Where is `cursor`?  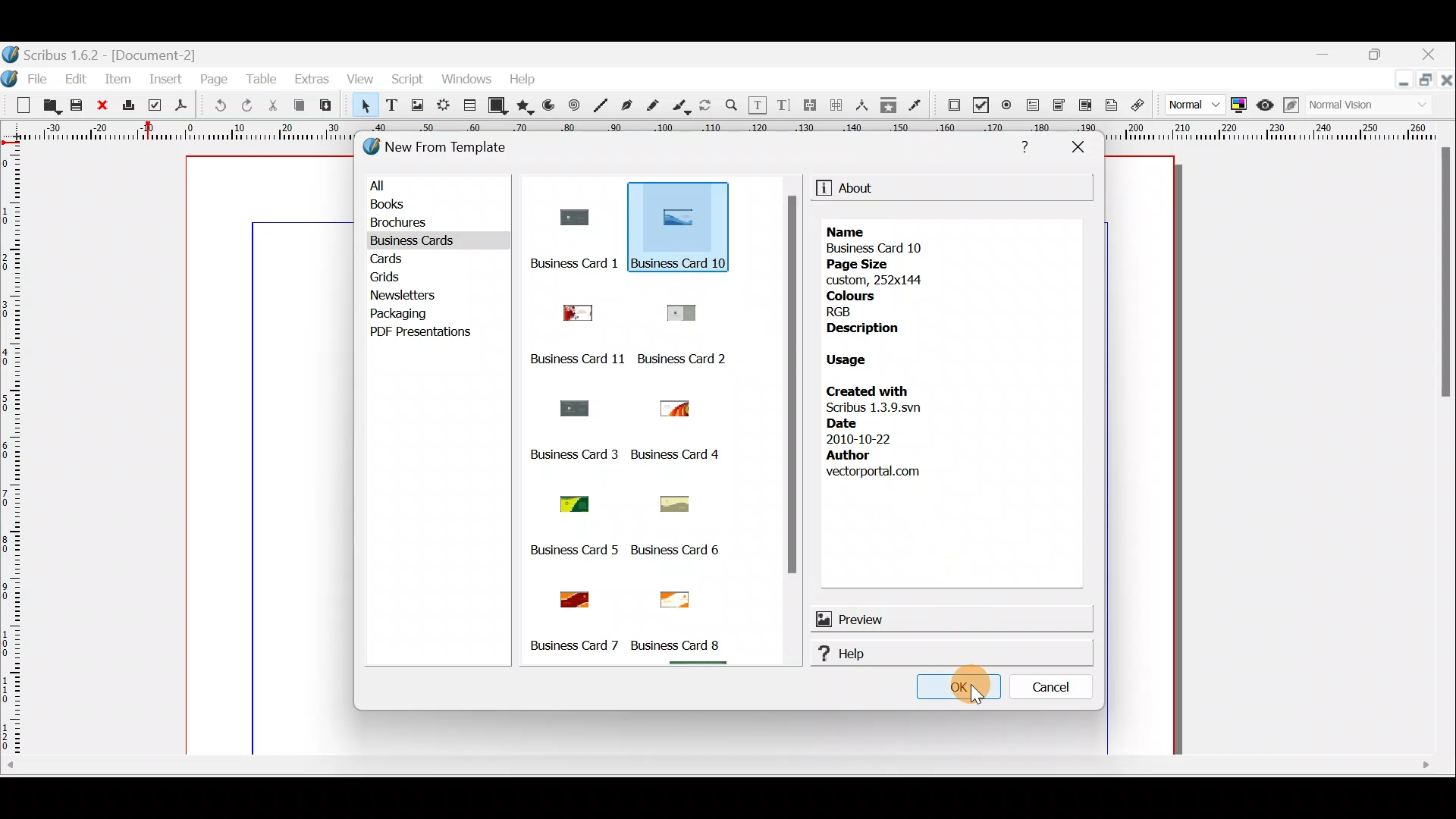
cursor is located at coordinates (701, 237).